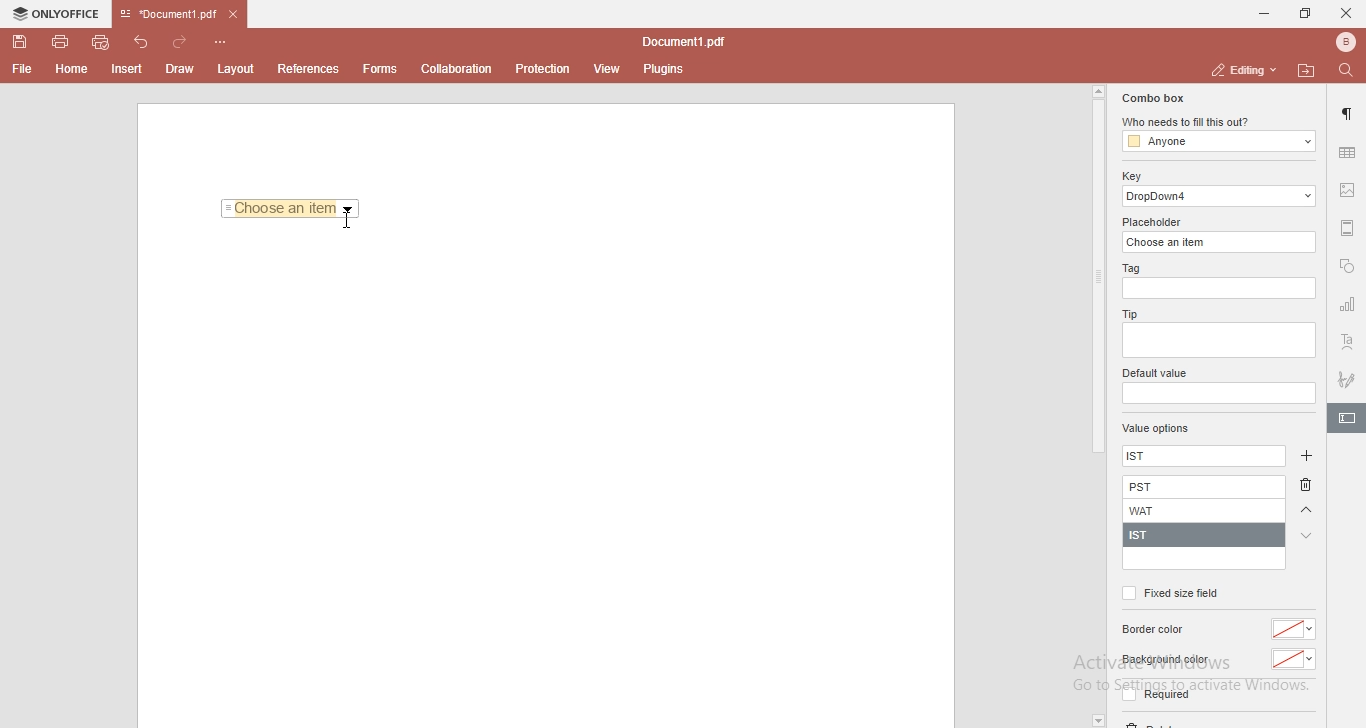  What do you see at coordinates (1221, 241) in the screenshot?
I see `choose an item` at bounding box center [1221, 241].